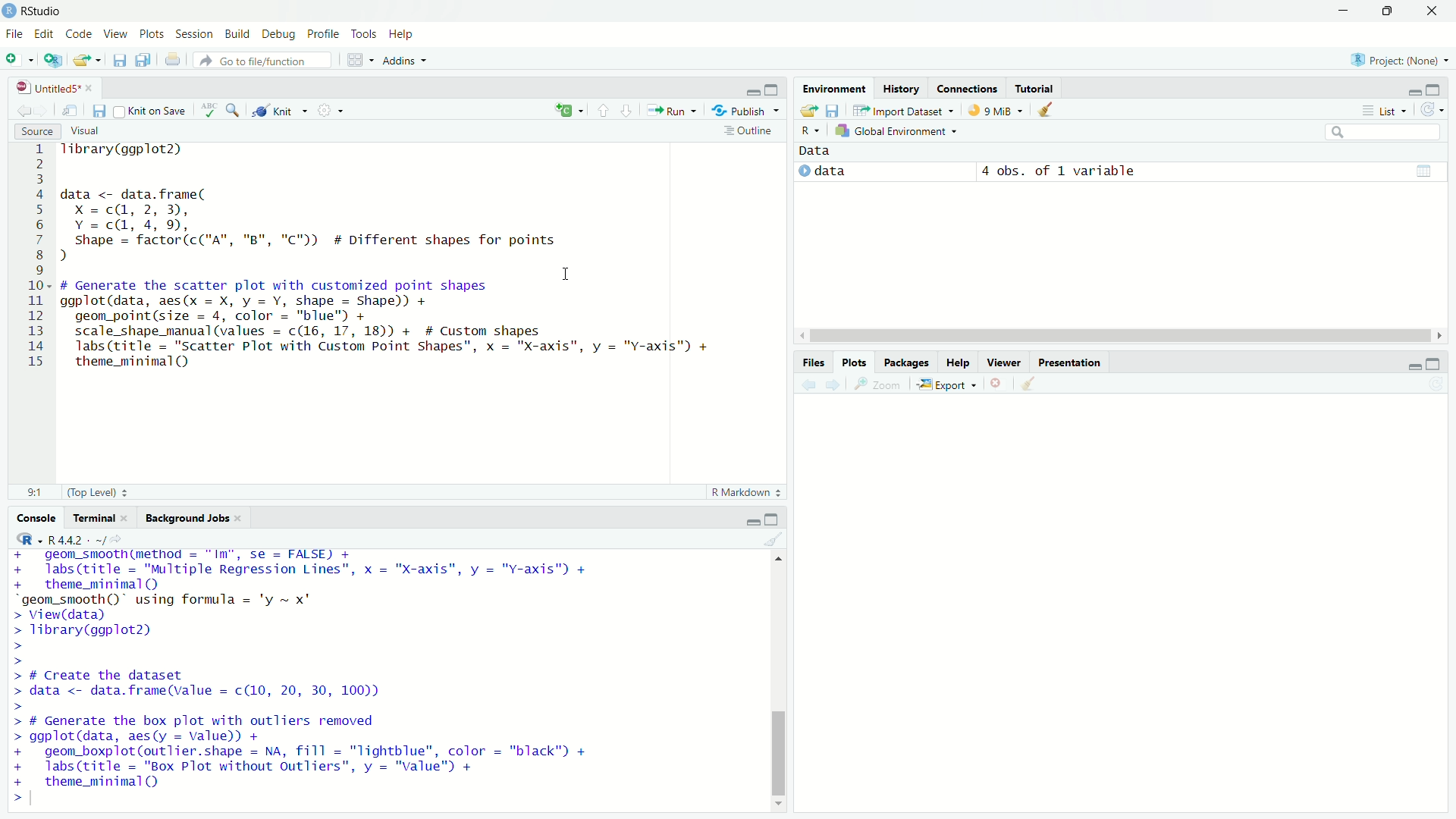 This screenshot has width=1456, height=819. Describe the element at coordinates (33, 10) in the screenshot. I see `RStudio` at that location.